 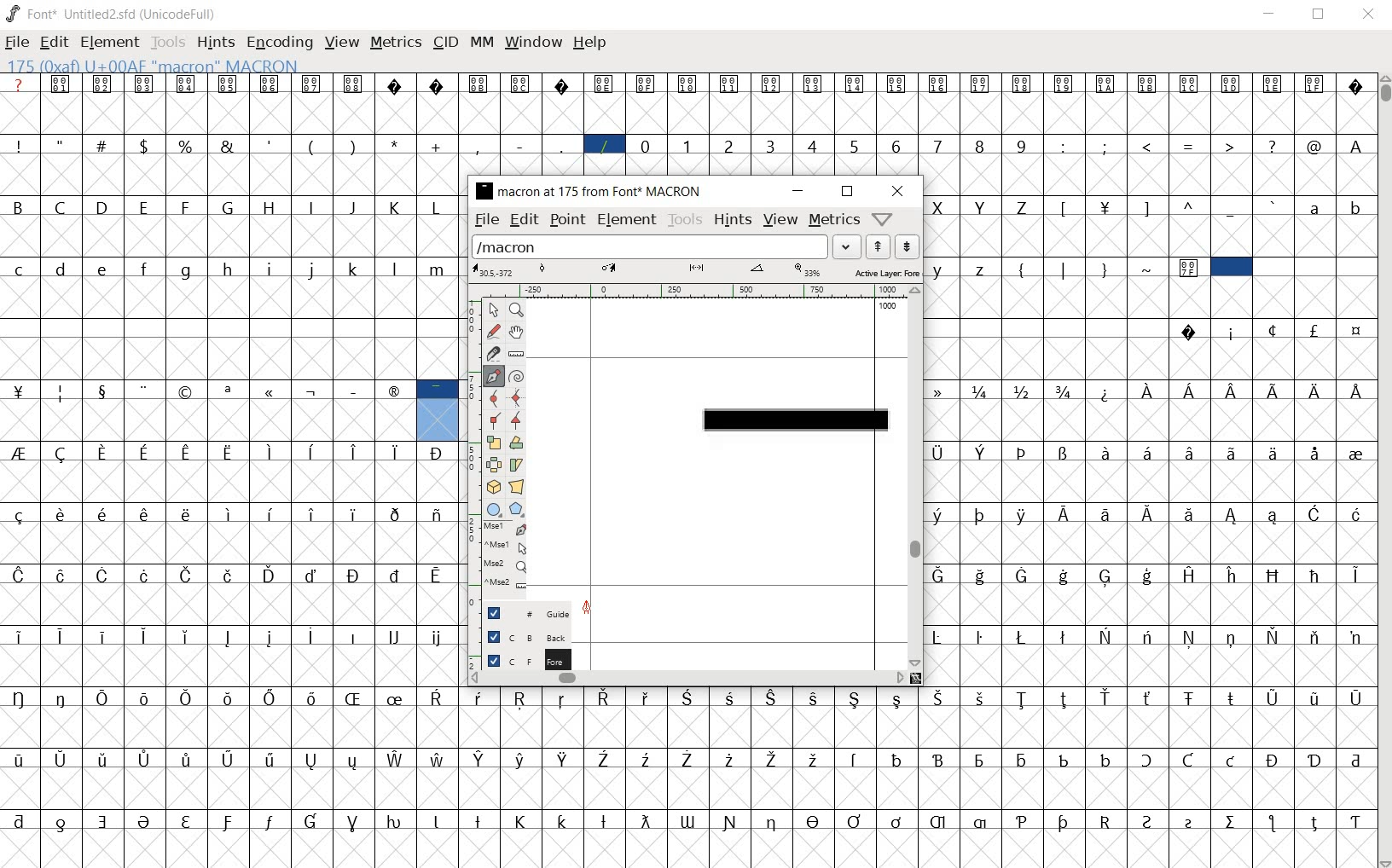 What do you see at coordinates (525, 698) in the screenshot?
I see `Symbol` at bounding box center [525, 698].